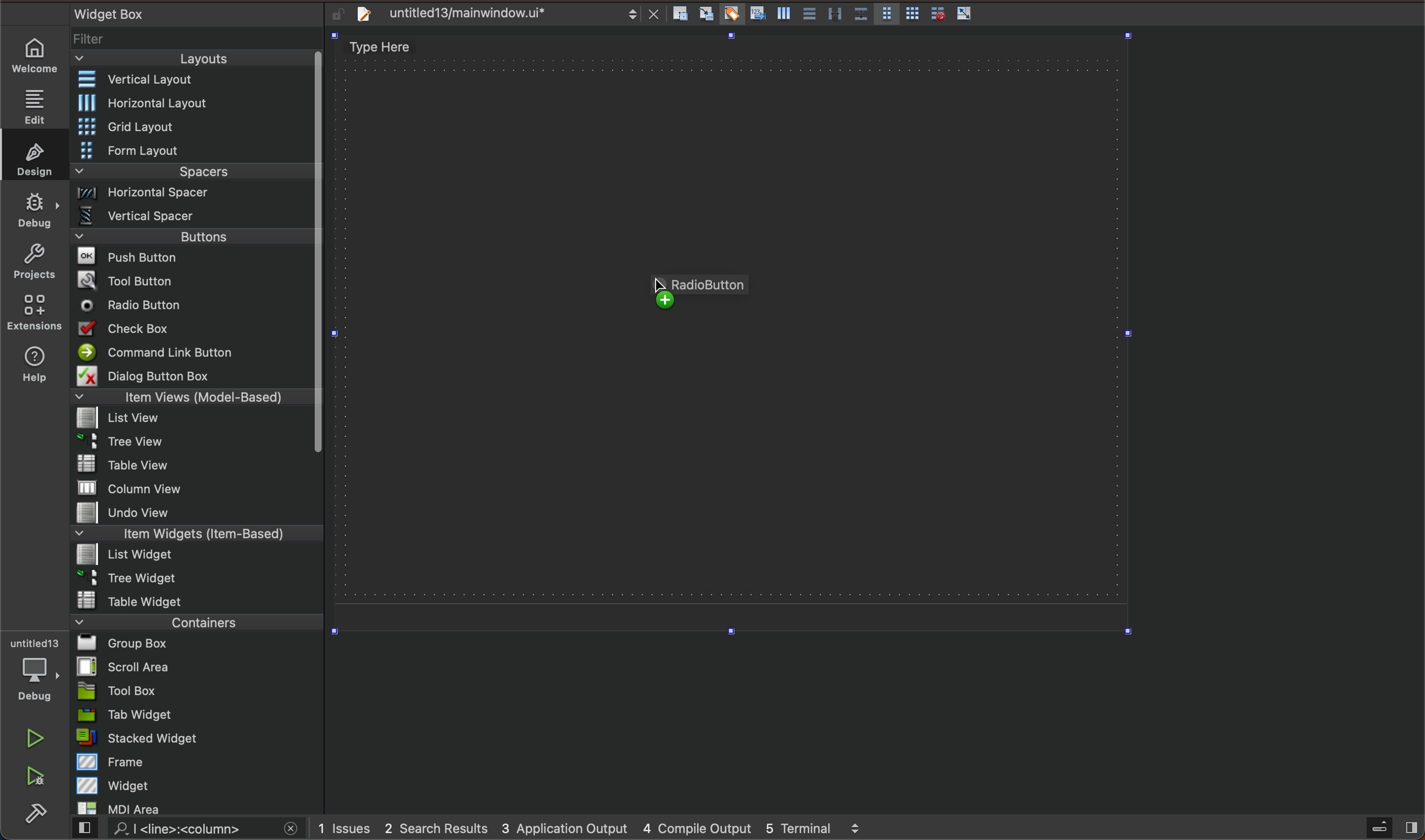 The width and height of the screenshot is (1425, 840). I want to click on push button, so click(192, 259).